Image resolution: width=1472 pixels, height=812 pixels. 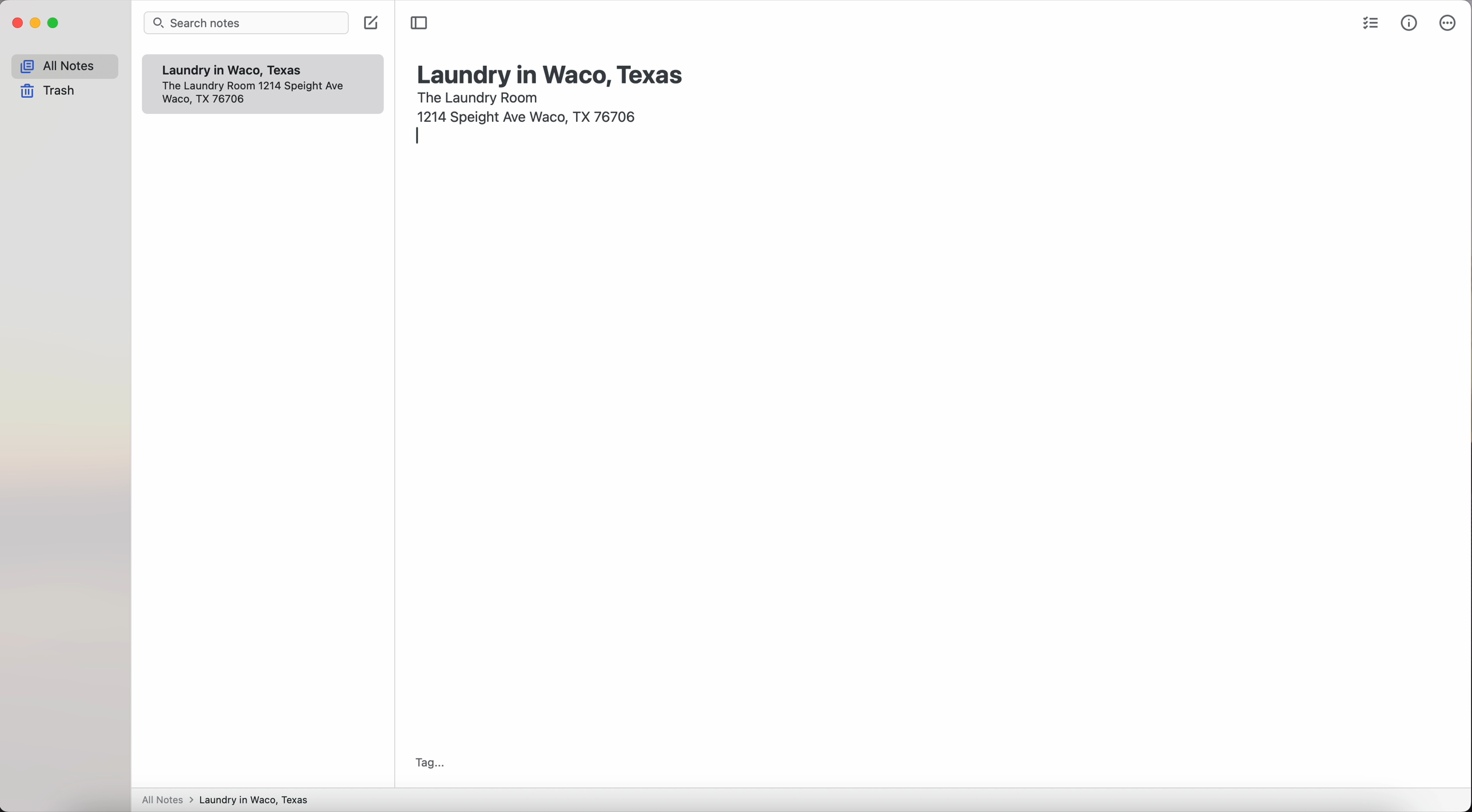 I want to click on minimize app, so click(x=36, y=23).